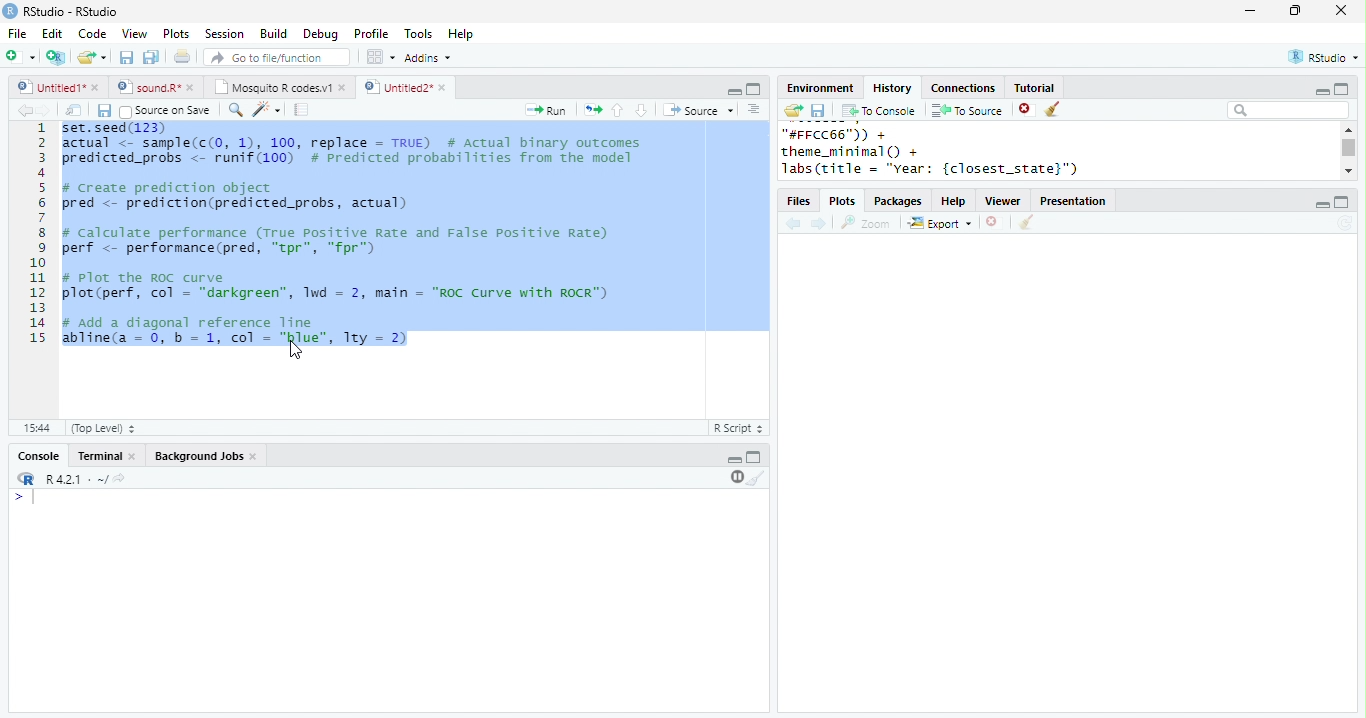  What do you see at coordinates (545, 110) in the screenshot?
I see `run` at bounding box center [545, 110].